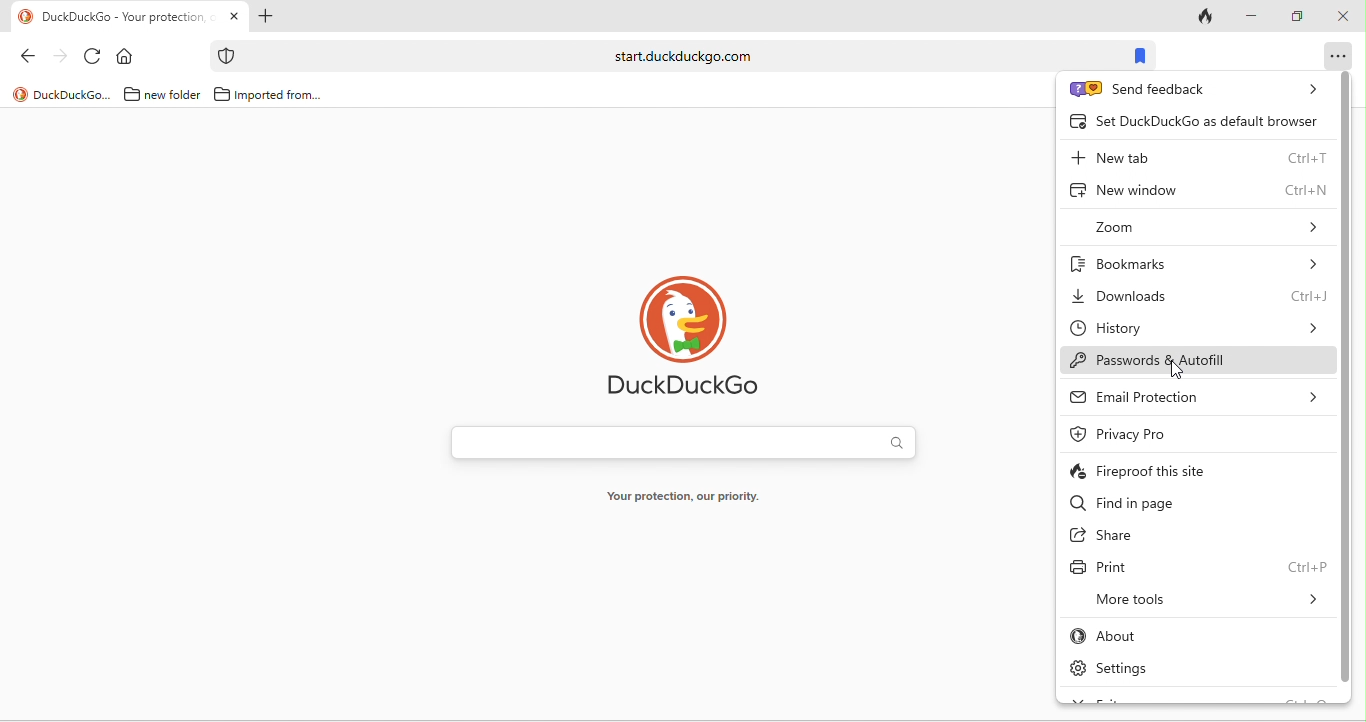 The height and width of the screenshot is (722, 1366). I want to click on bookmark, so click(1138, 56).